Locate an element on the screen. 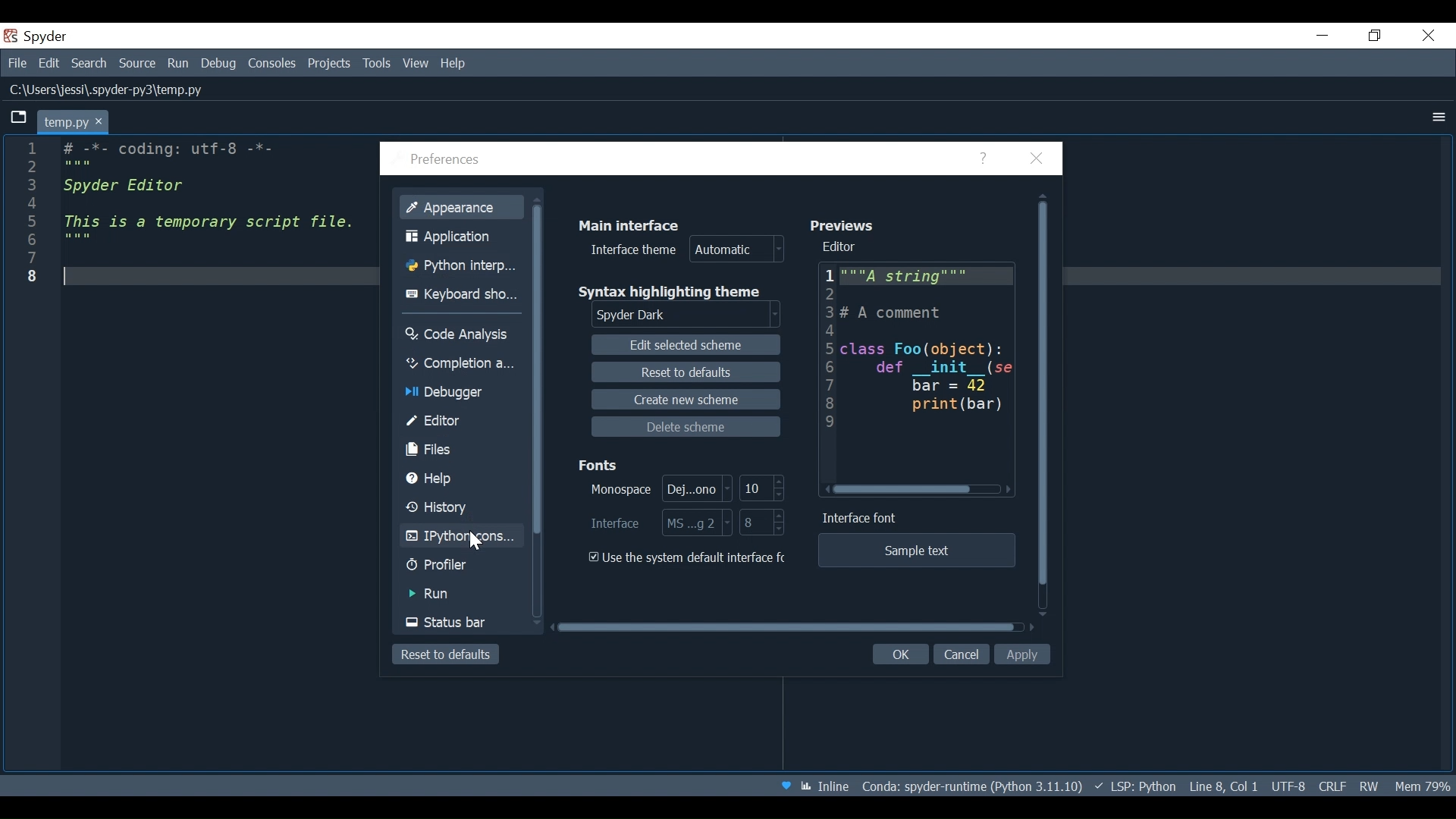 This screenshot has width=1456, height=819. Horizontal Scroll bar is located at coordinates (921, 490).